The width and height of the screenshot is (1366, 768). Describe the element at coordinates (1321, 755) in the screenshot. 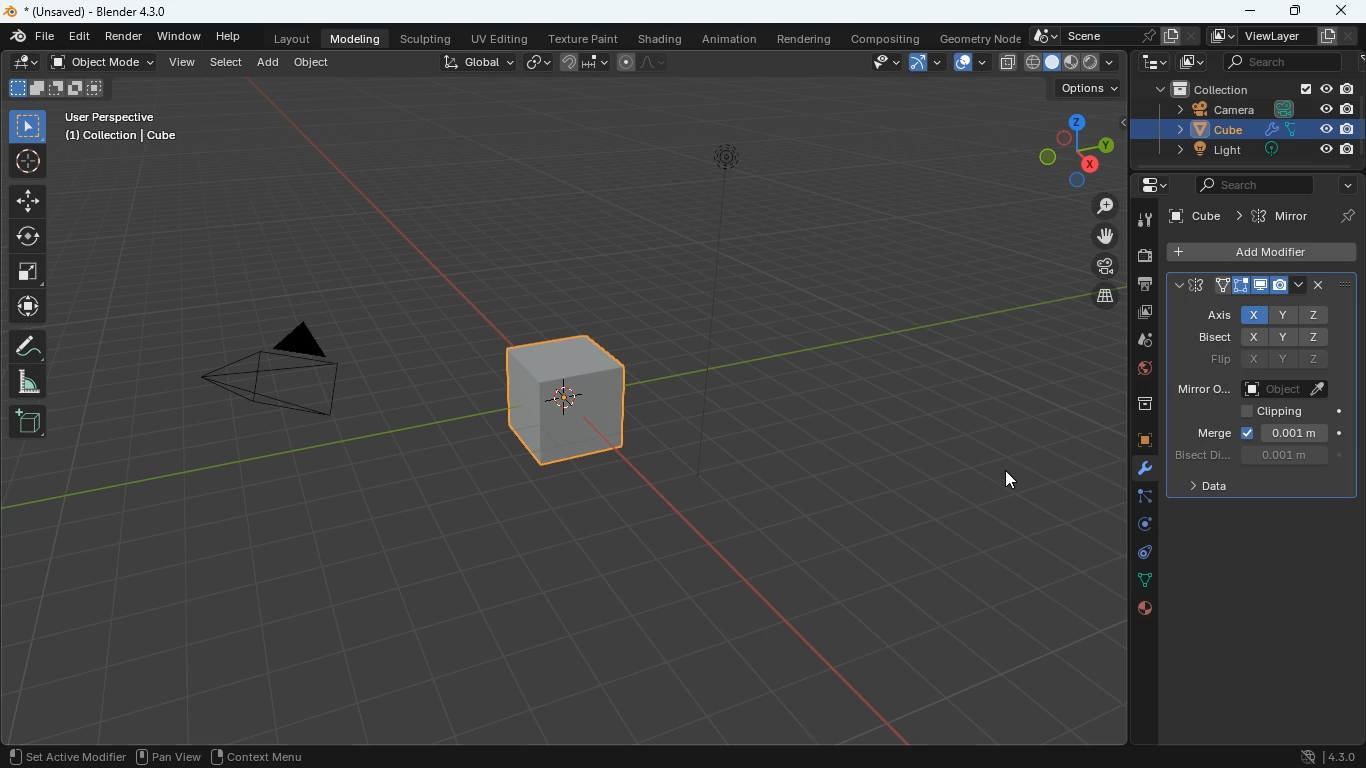

I see `version` at that location.